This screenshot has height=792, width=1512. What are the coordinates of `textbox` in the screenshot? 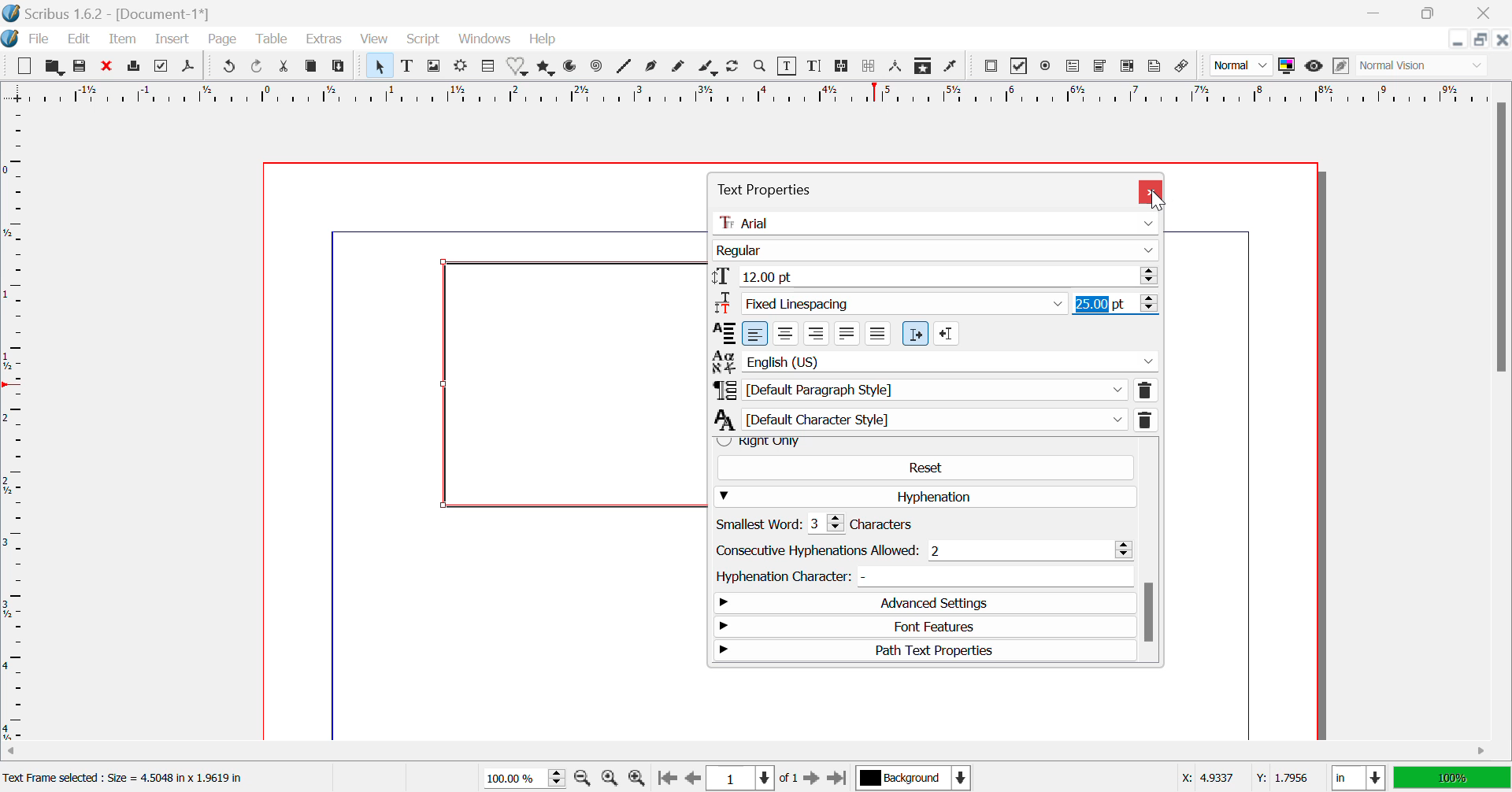 It's located at (576, 385).